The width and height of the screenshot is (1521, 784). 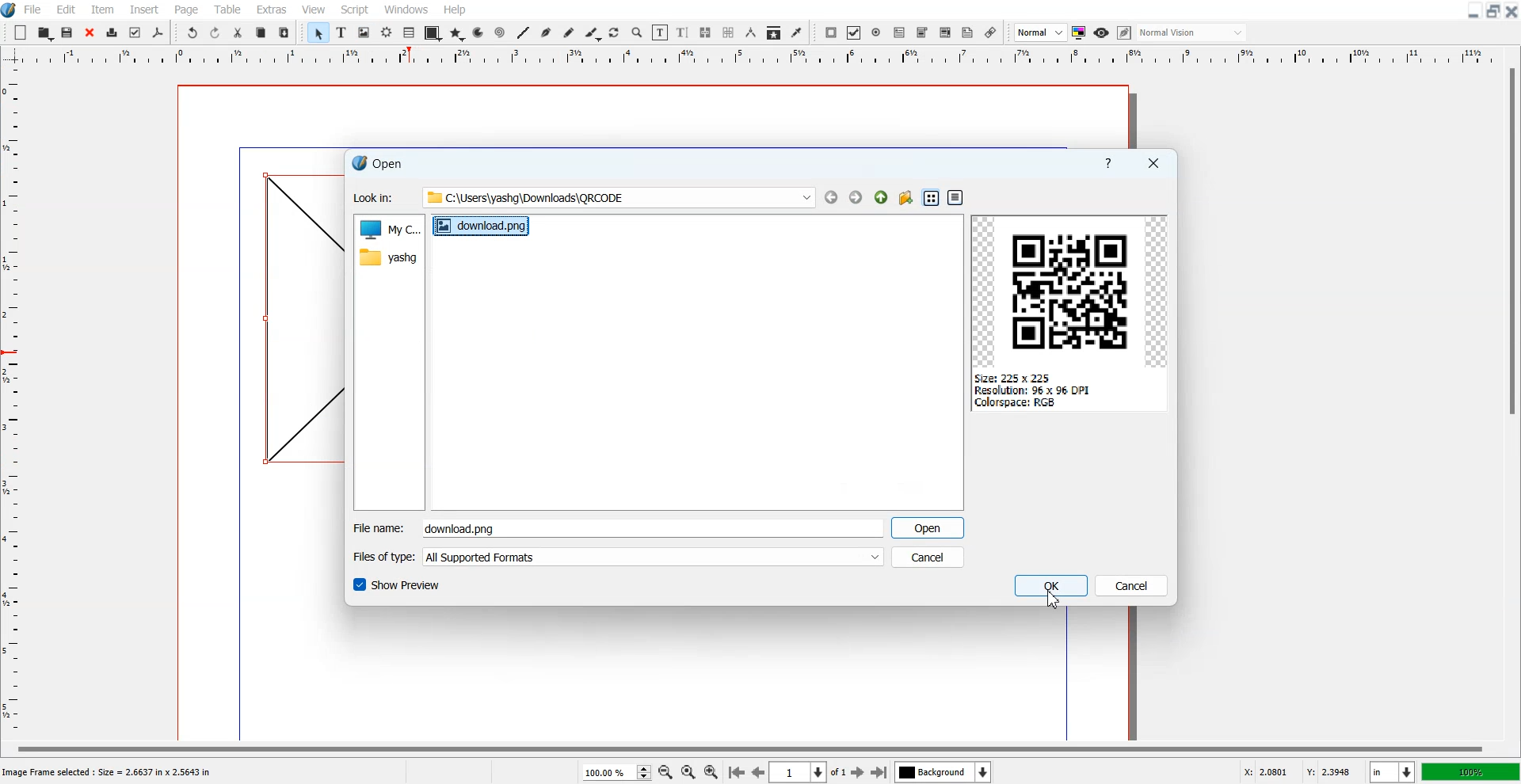 What do you see at coordinates (1125, 32) in the screenshot?
I see `Edit in preview mode` at bounding box center [1125, 32].